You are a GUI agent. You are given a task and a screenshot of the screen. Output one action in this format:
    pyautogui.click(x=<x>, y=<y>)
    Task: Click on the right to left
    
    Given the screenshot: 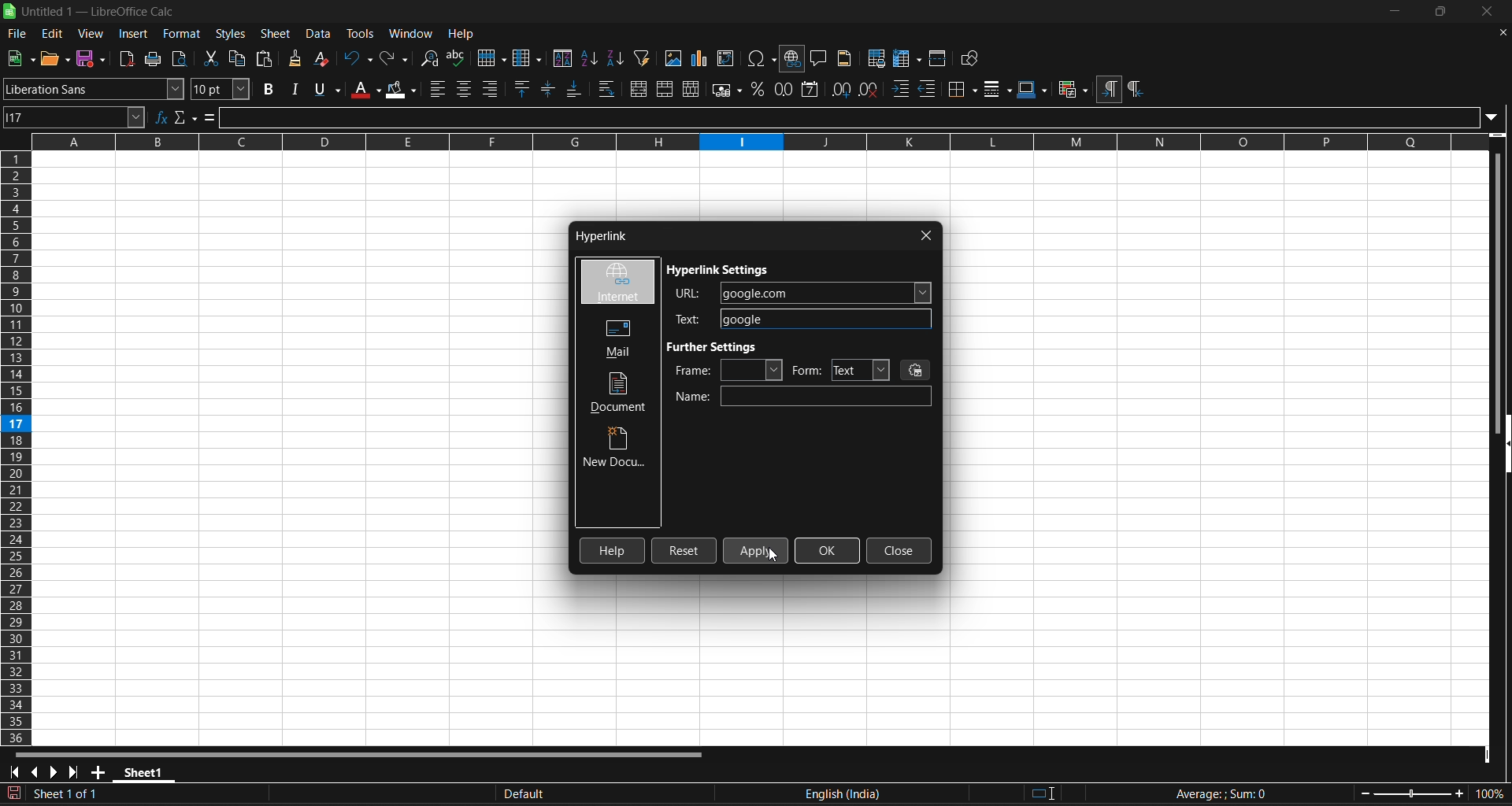 What is the action you would take?
    pyautogui.click(x=1135, y=90)
    